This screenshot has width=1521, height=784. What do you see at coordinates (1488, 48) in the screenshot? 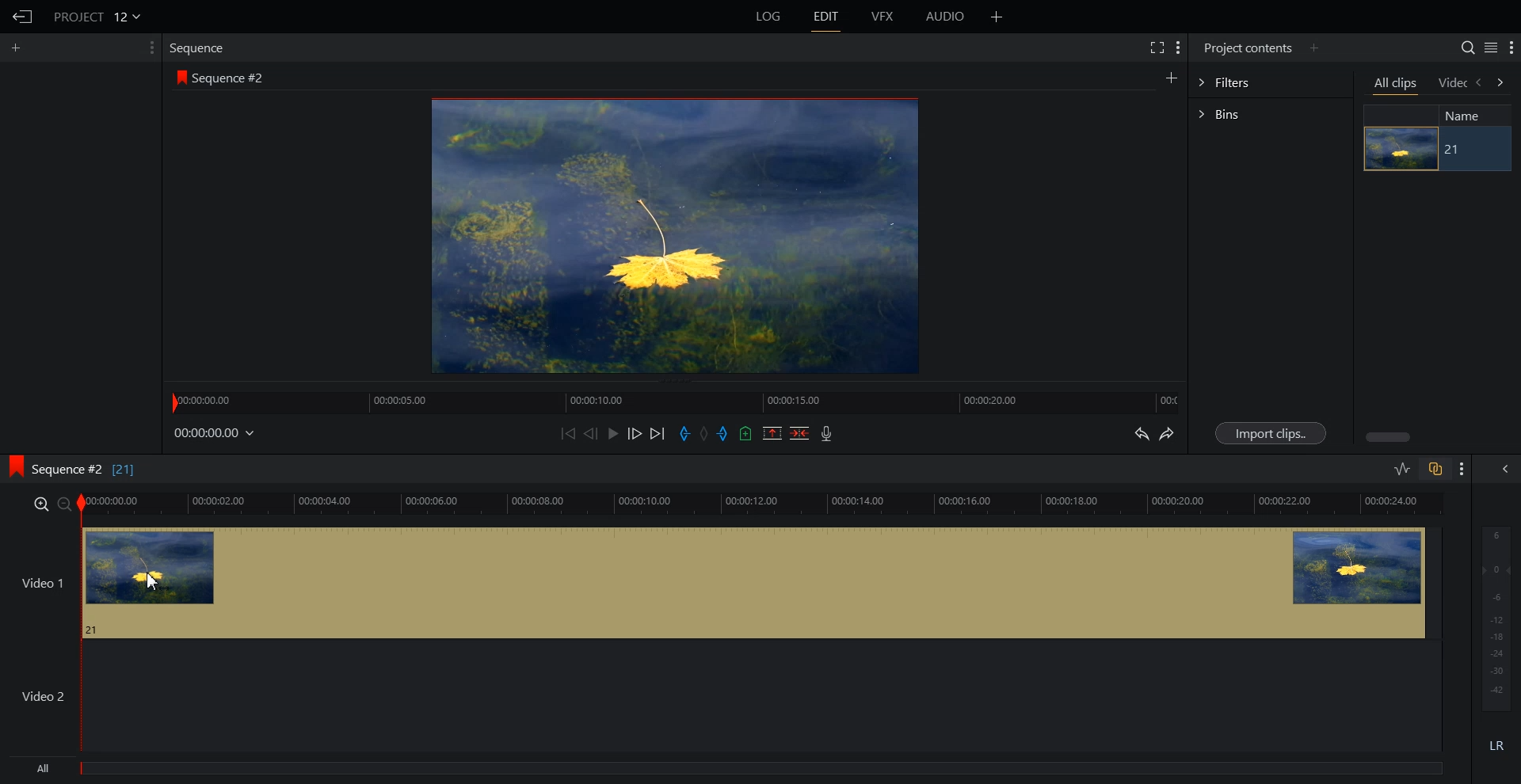
I see `Toggle between list and tile view` at bounding box center [1488, 48].